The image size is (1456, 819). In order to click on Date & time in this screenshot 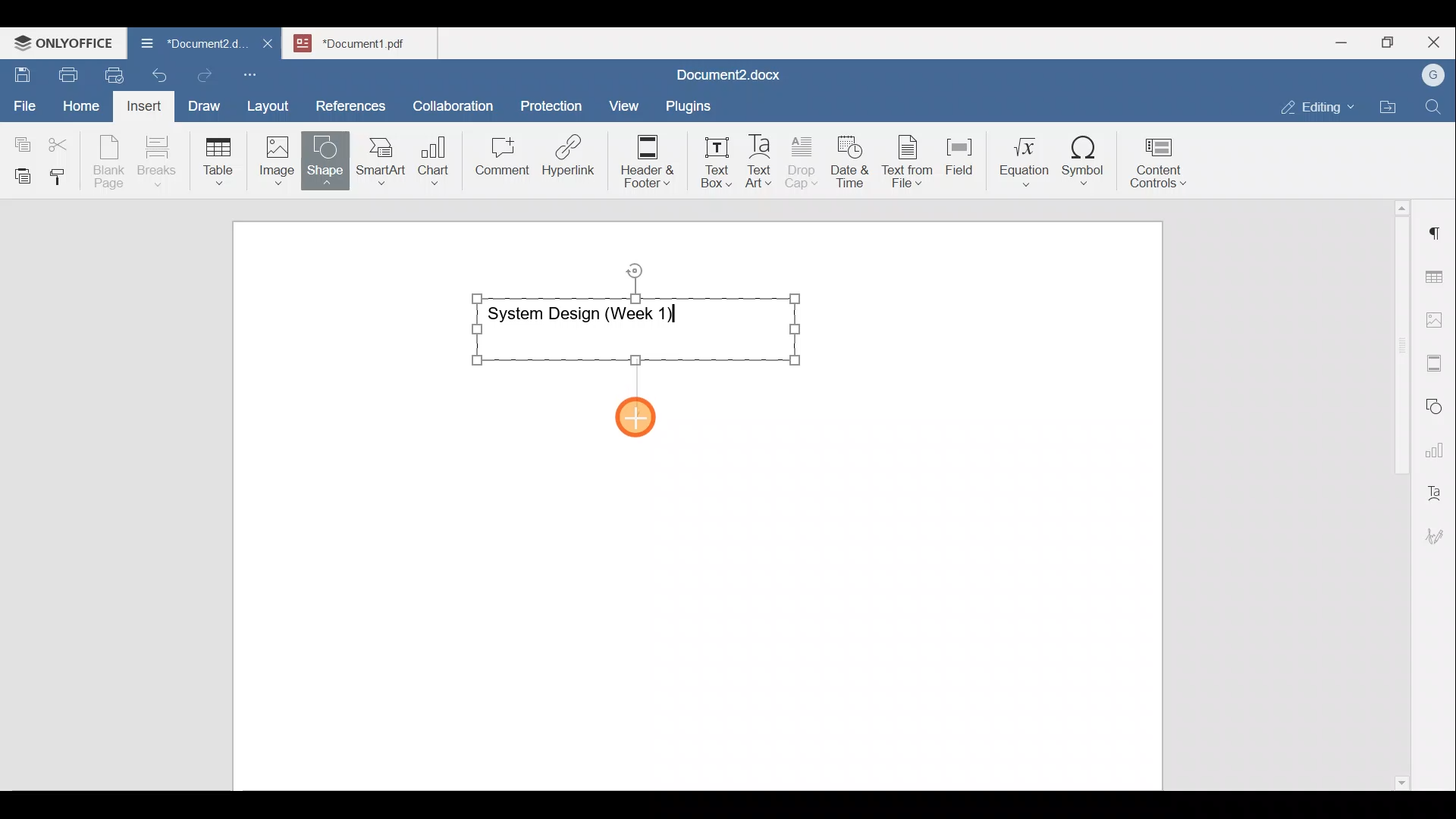, I will do `click(851, 159)`.